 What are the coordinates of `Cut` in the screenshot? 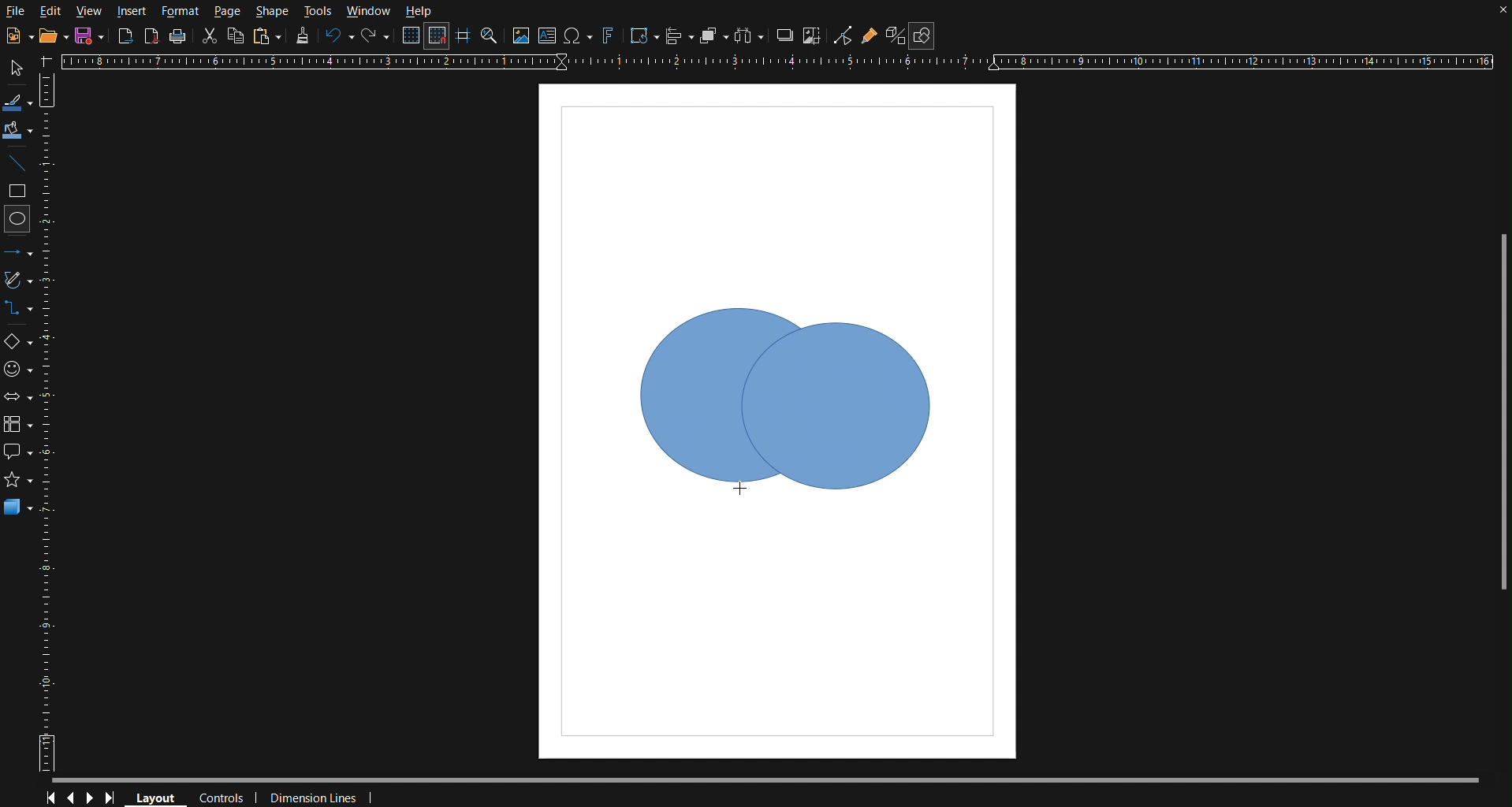 It's located at (211, 37).